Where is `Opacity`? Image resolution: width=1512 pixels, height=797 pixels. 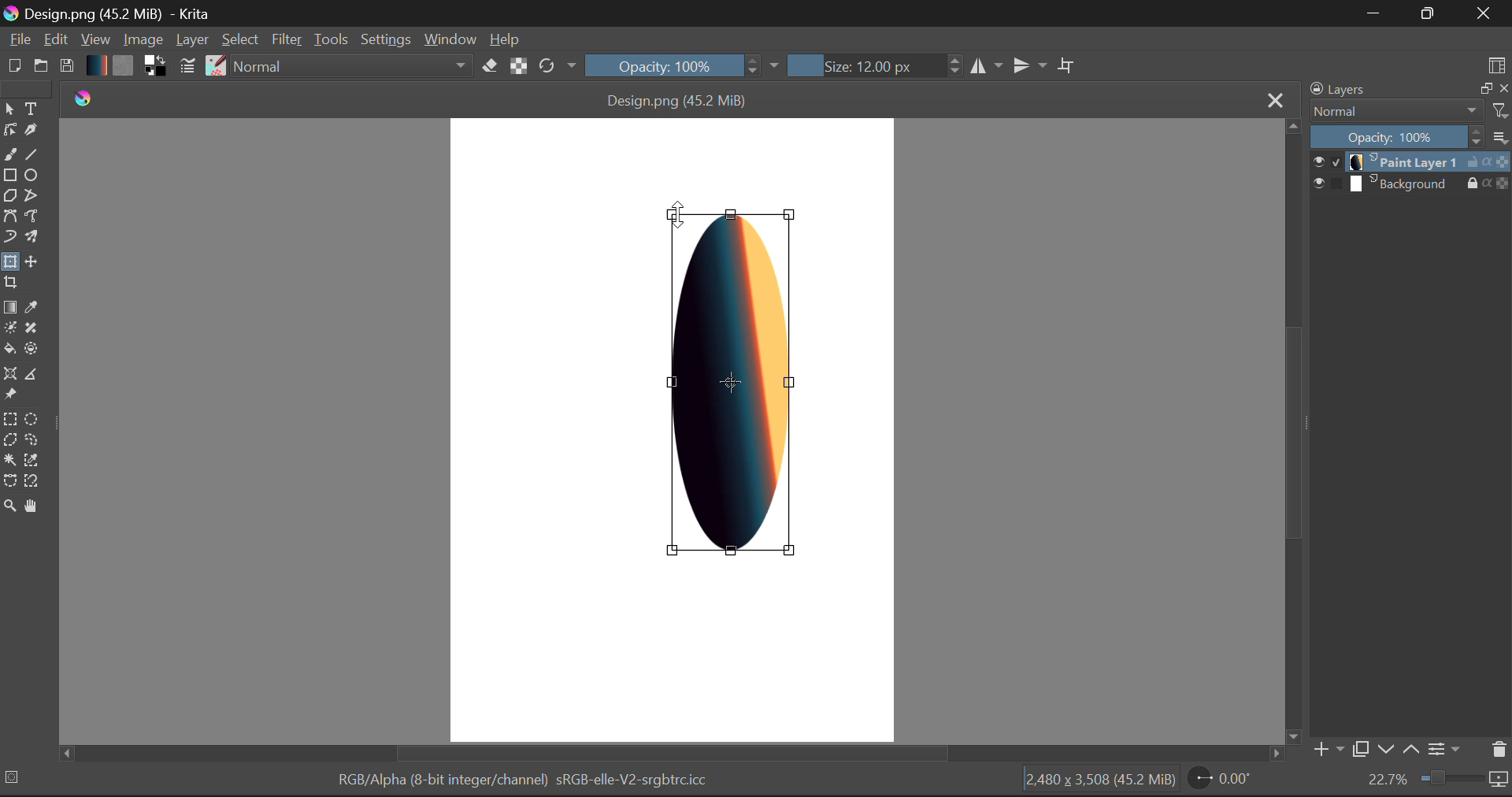
Opacity is located at coordinates (684, 65).